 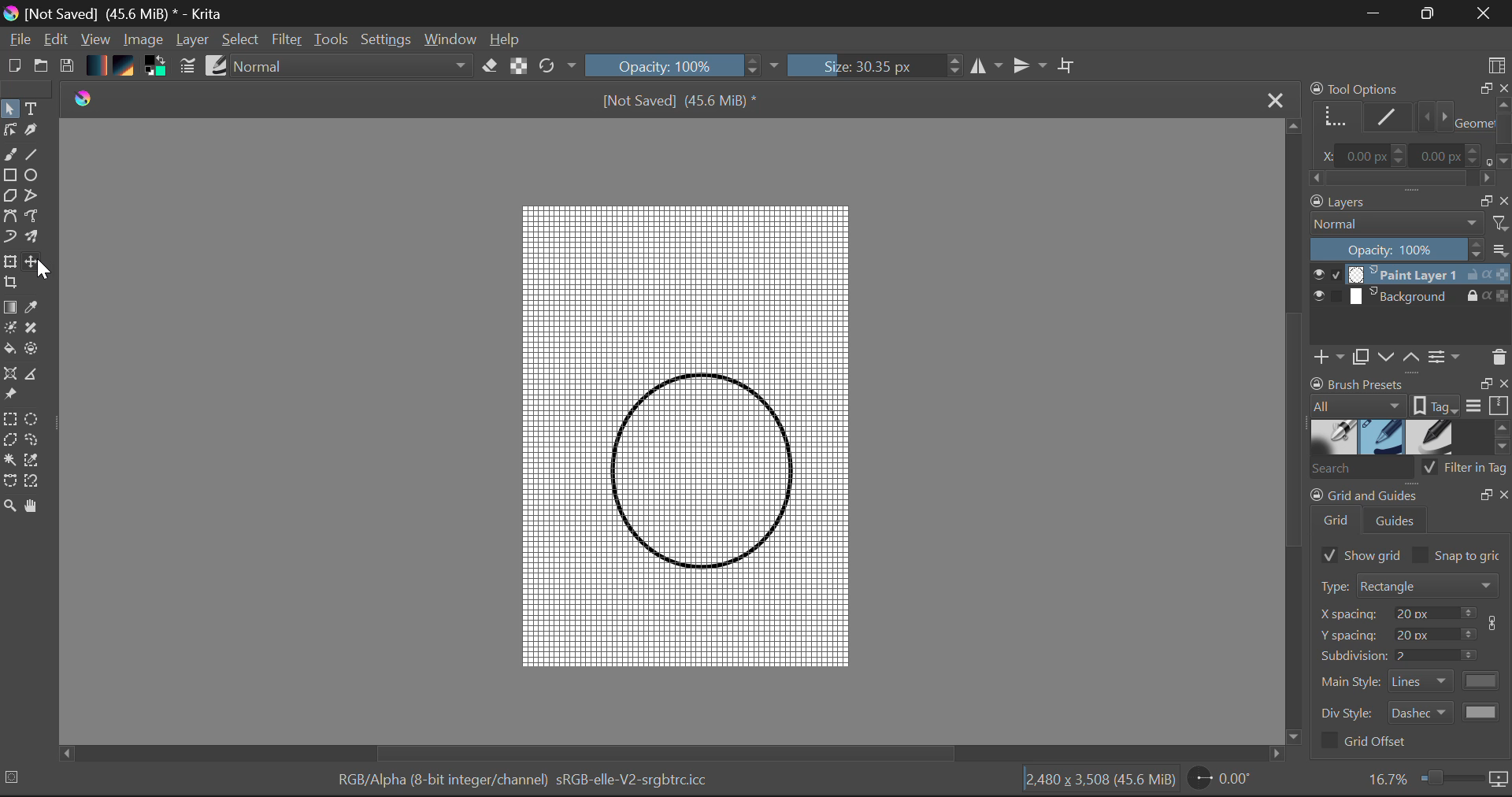 What do you see at coordinates (531, 783) in the screenshot?
I see `Color Information` at bounding box center [531, 783].